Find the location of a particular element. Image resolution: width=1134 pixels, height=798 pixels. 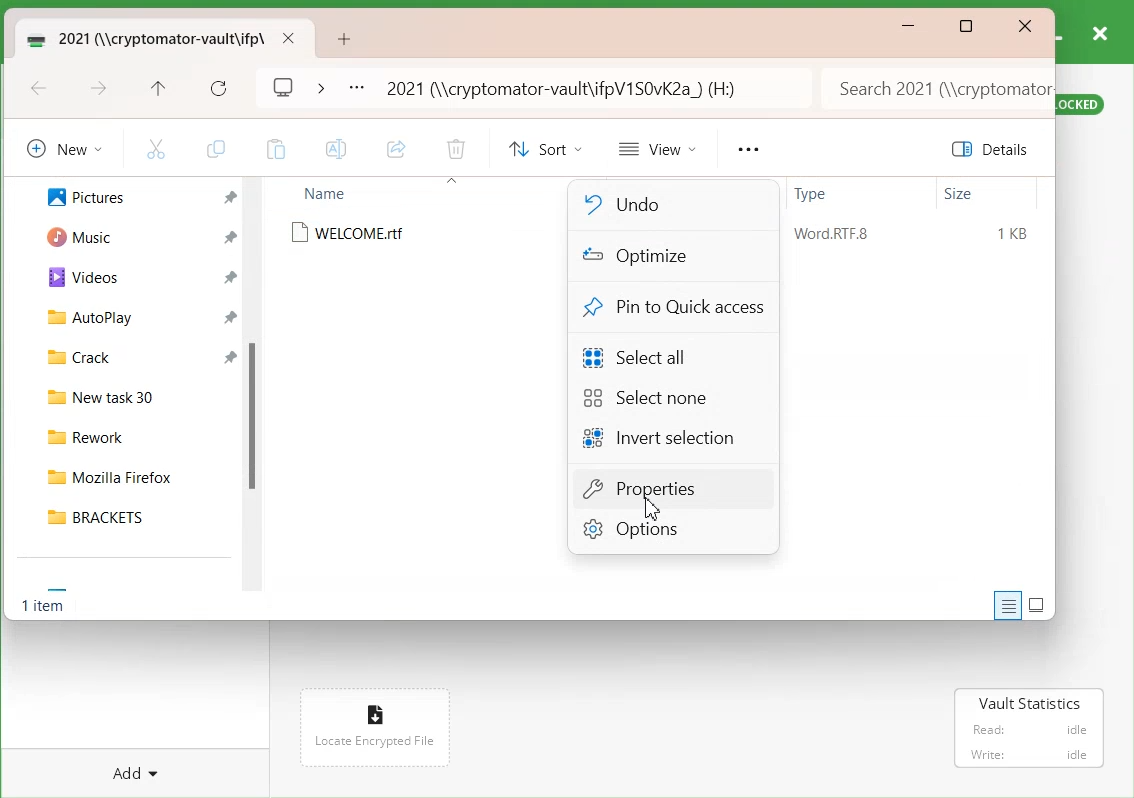

Write: Idle is located at coordinates (1029, 754).